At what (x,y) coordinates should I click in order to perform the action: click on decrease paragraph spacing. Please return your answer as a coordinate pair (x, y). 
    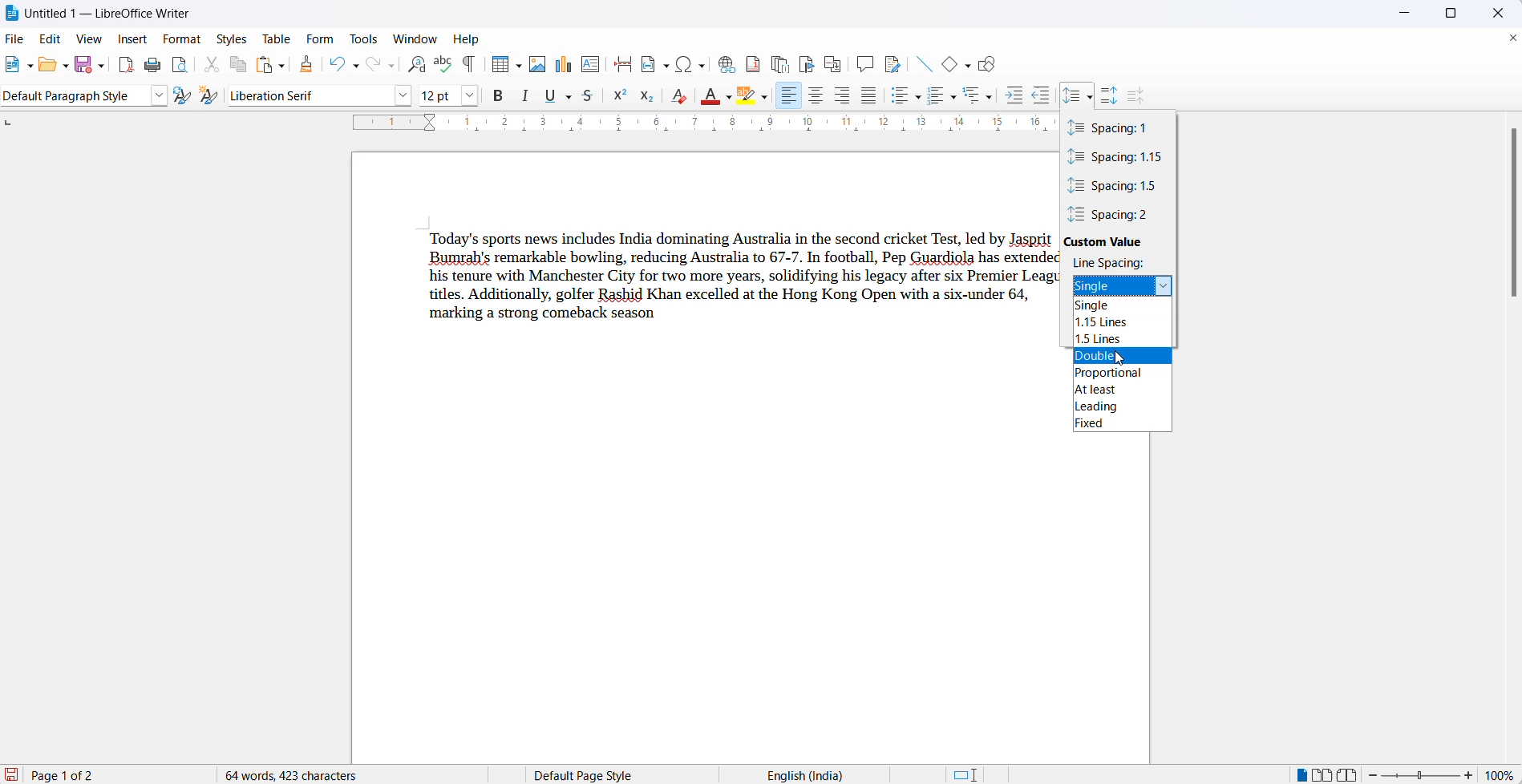
    Looking at the image, I should click on (1137, 95).